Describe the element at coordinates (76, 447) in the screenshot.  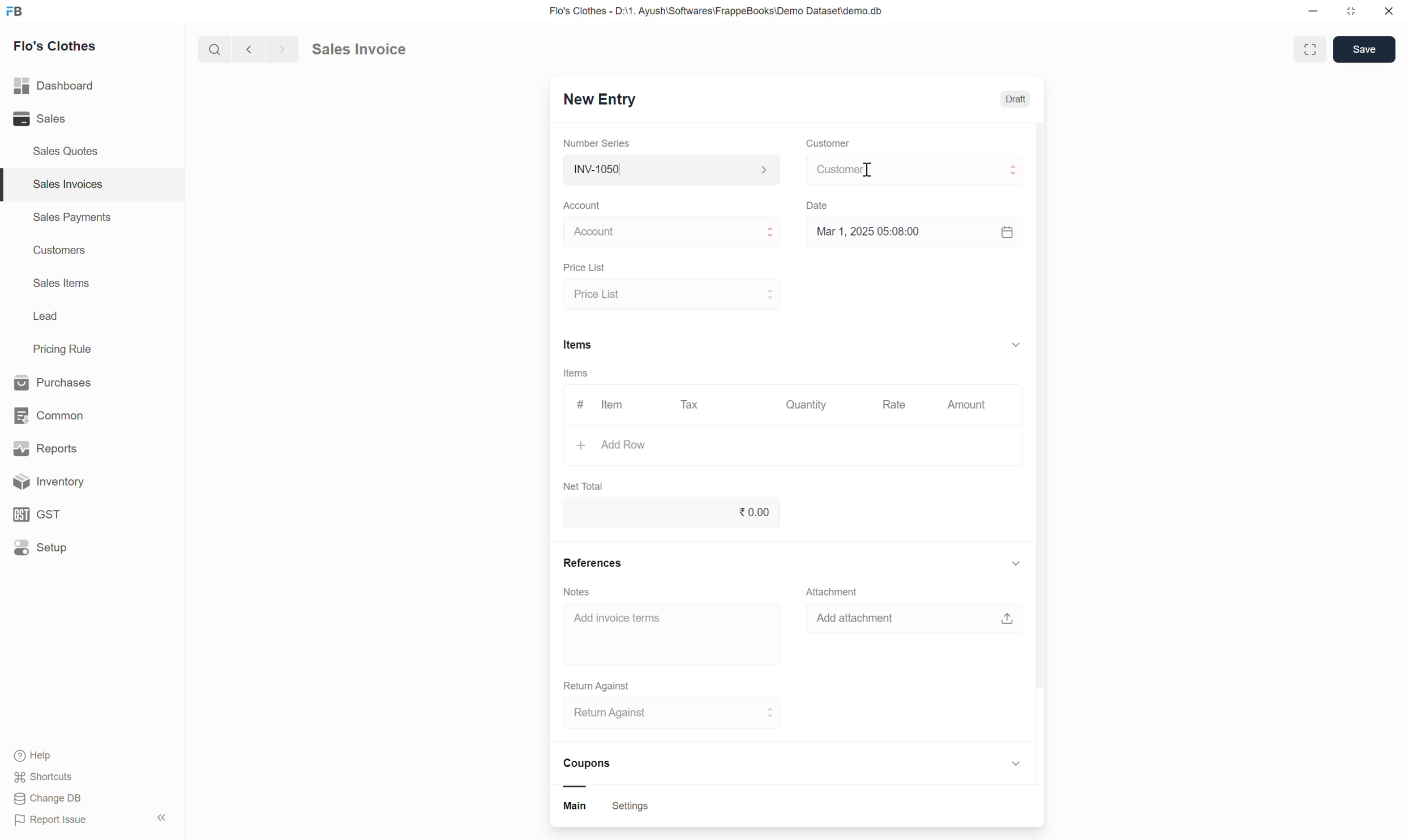
I see `Reports ` at that location.